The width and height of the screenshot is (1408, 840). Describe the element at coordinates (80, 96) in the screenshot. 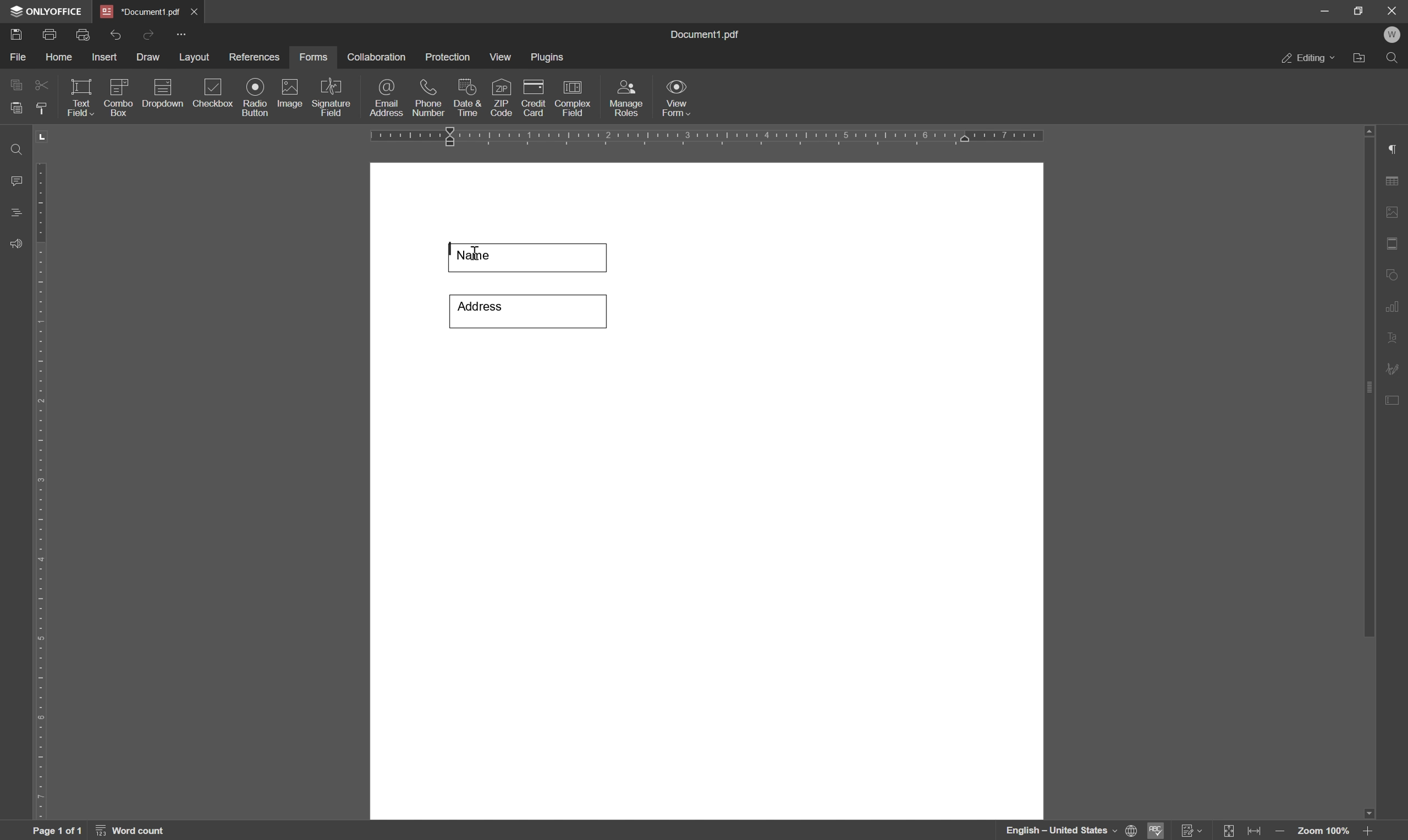

I see `text field` at that location.